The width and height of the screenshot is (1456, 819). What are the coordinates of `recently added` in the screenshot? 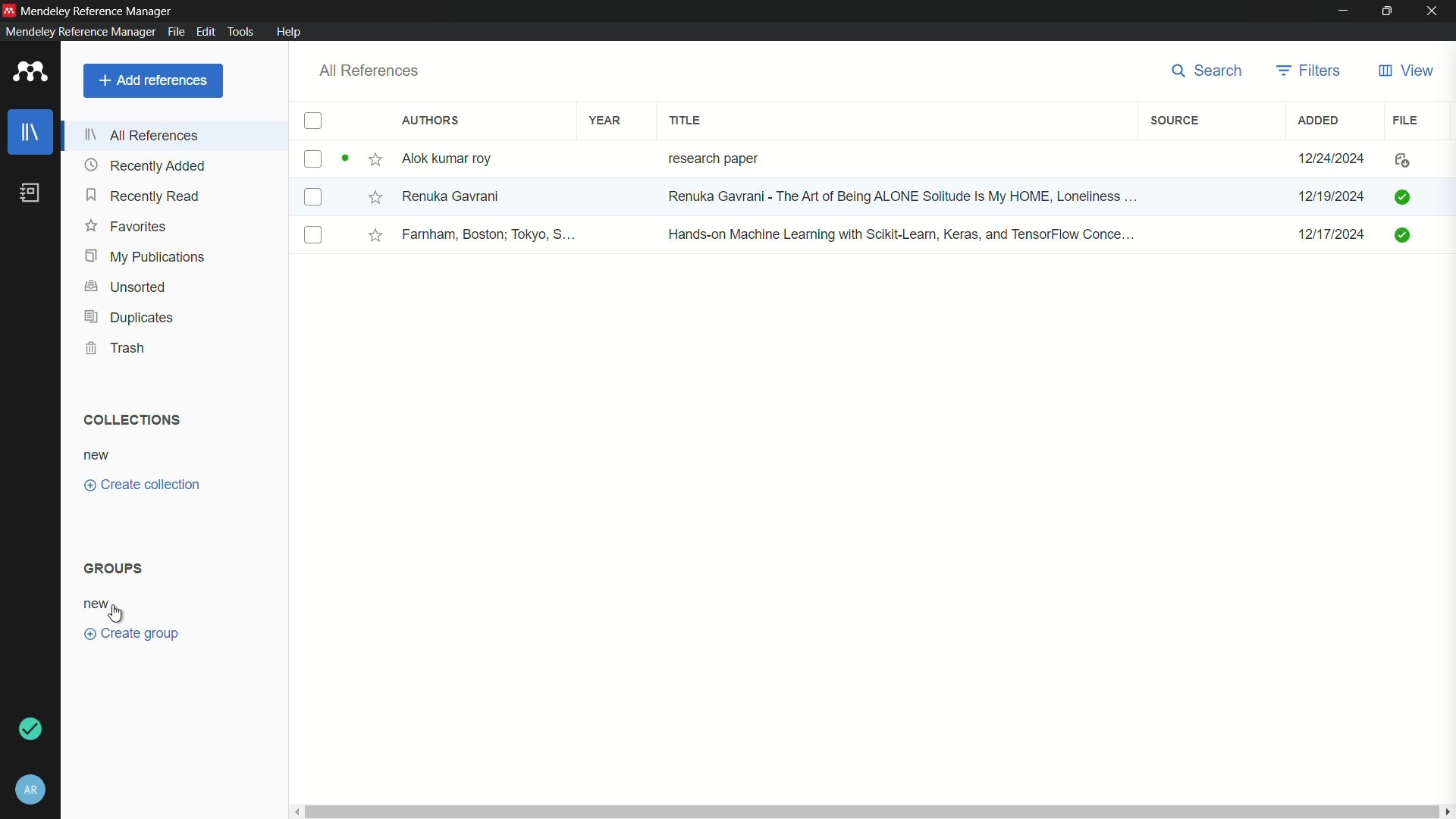 It's located at (146, 165).